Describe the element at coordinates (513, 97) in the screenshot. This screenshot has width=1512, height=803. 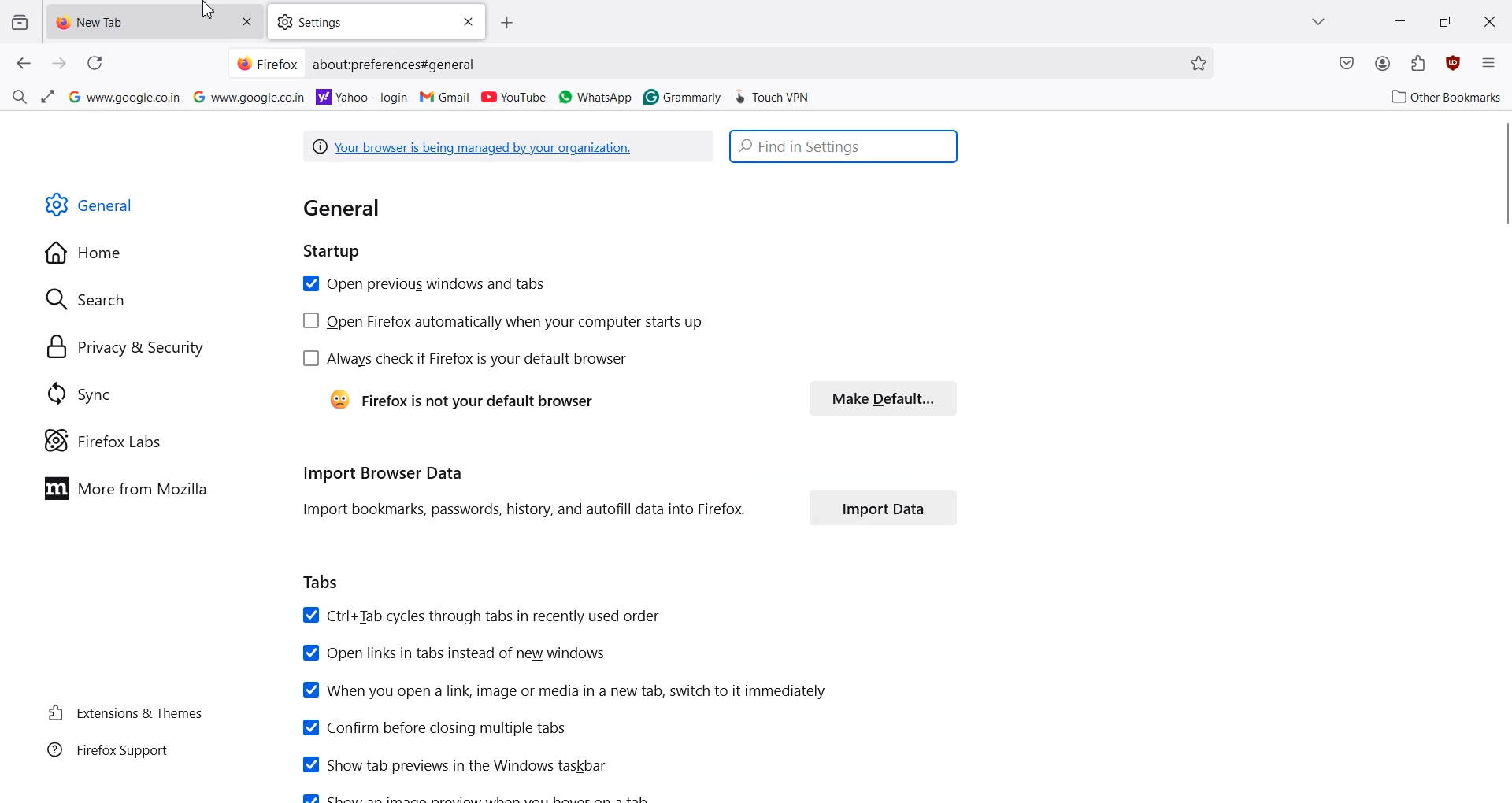
I see `Youtube Bookmark` at that location.